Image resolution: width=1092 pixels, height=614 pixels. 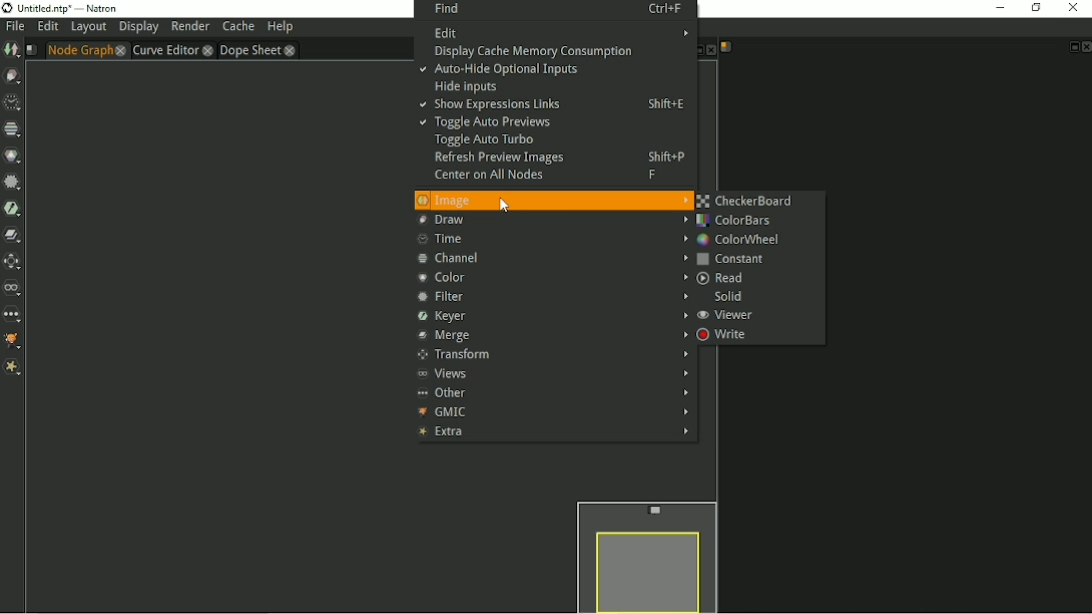 What do you see at coordinates (238, 27) in the screenshot?
I see `Cache` at bounding box center [238, 27].